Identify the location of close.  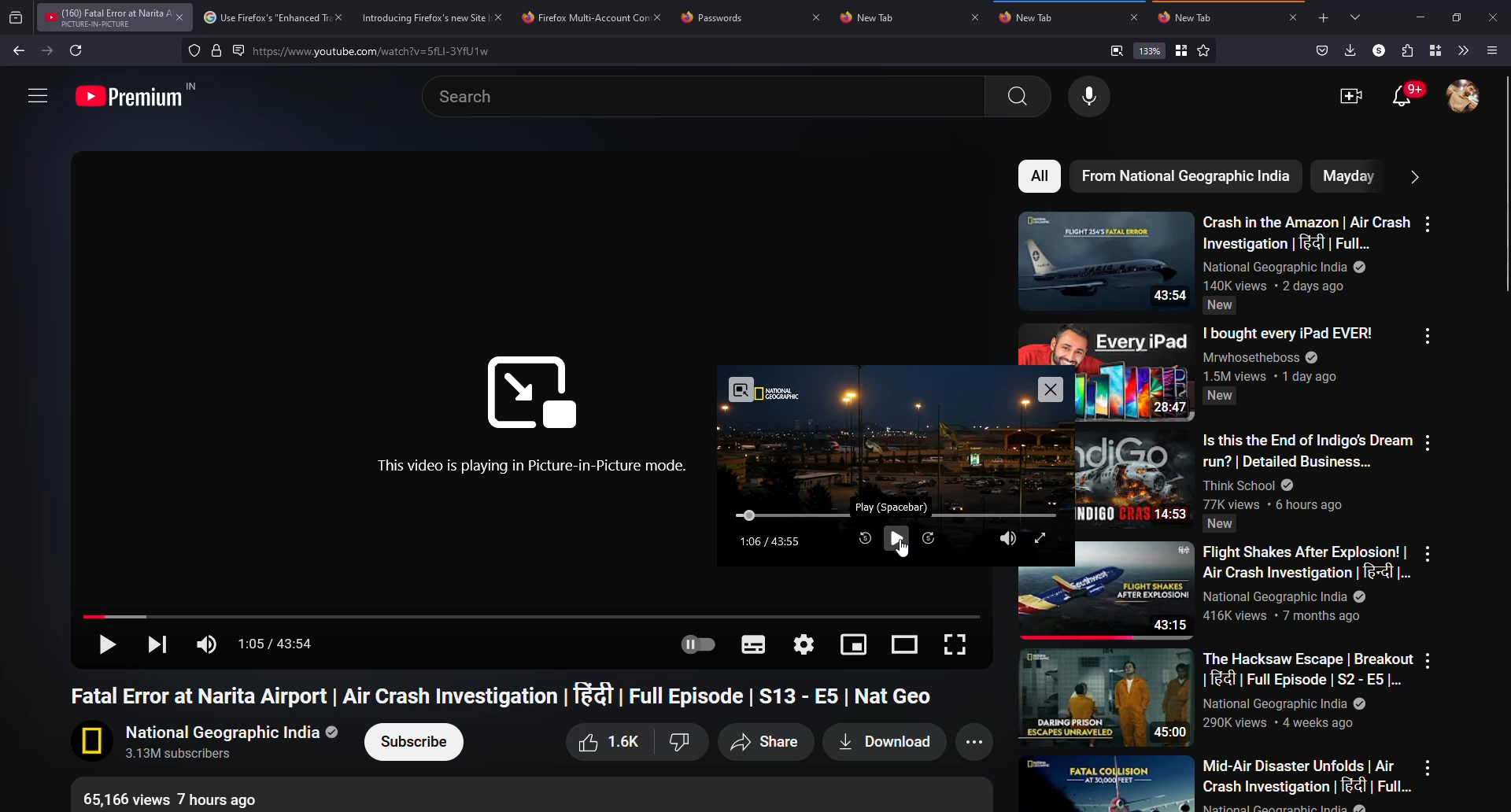
(1049, 389).